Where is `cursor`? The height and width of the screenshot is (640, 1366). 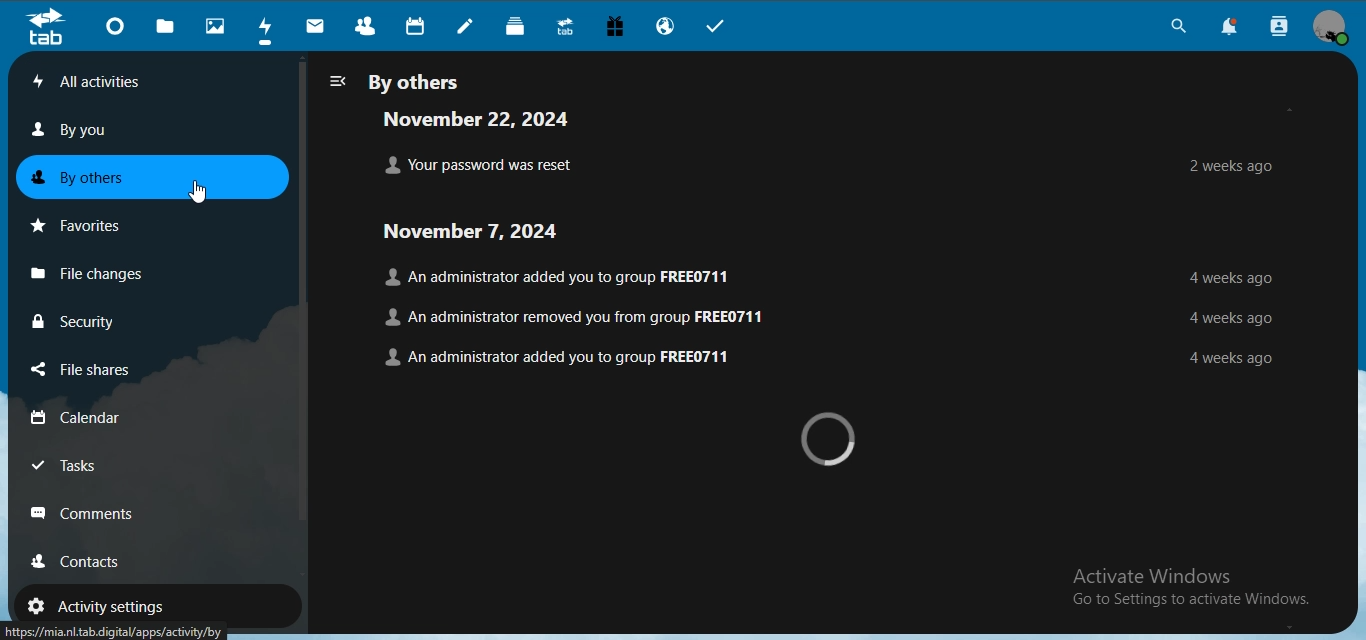 cursor is located at coordinates (194, 189).